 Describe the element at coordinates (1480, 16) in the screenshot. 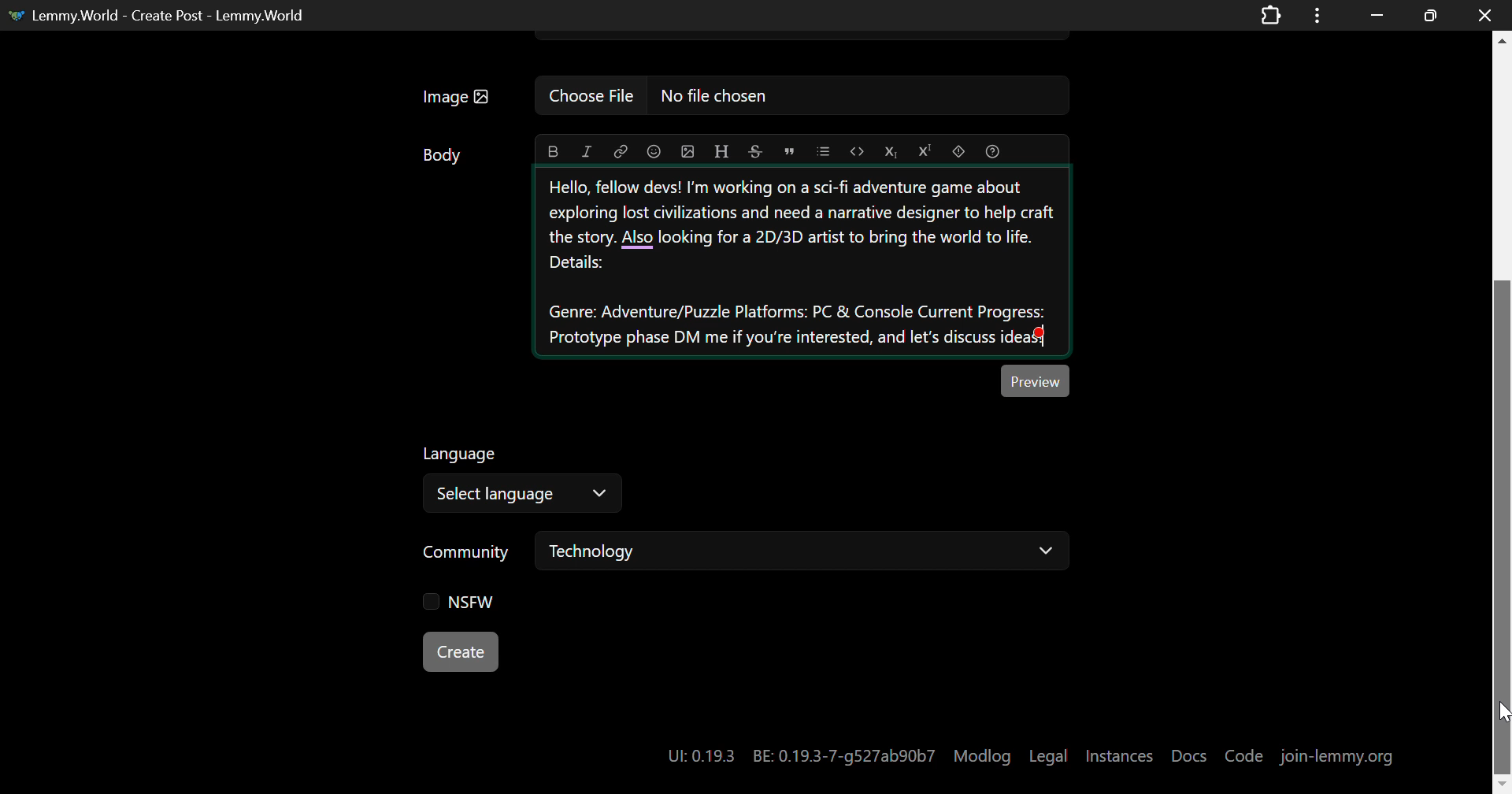

I see `Close Window` at that location.